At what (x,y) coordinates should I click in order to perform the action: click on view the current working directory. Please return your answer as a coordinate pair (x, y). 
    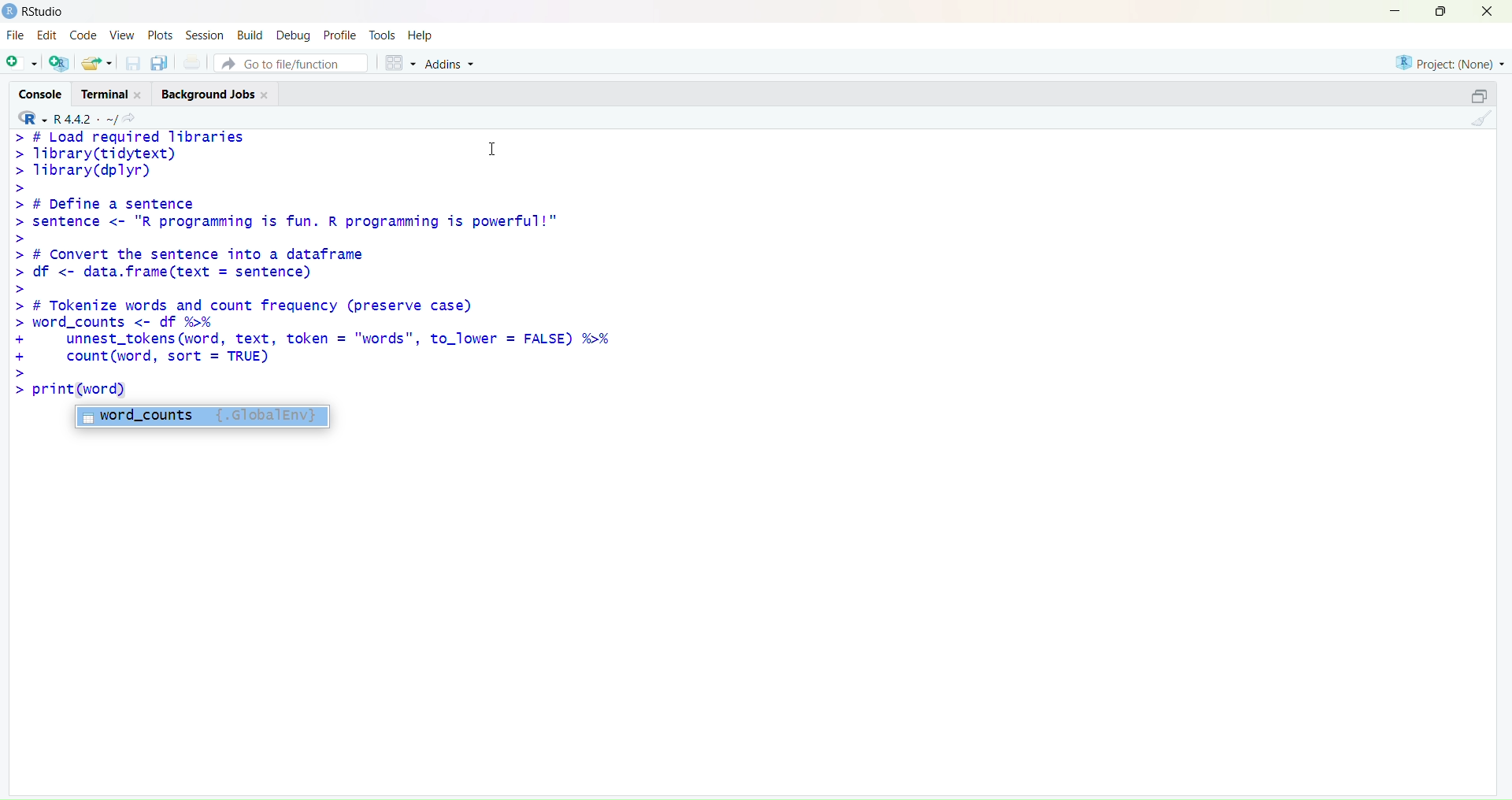
    Looking at the image, I should click on (130, 120).